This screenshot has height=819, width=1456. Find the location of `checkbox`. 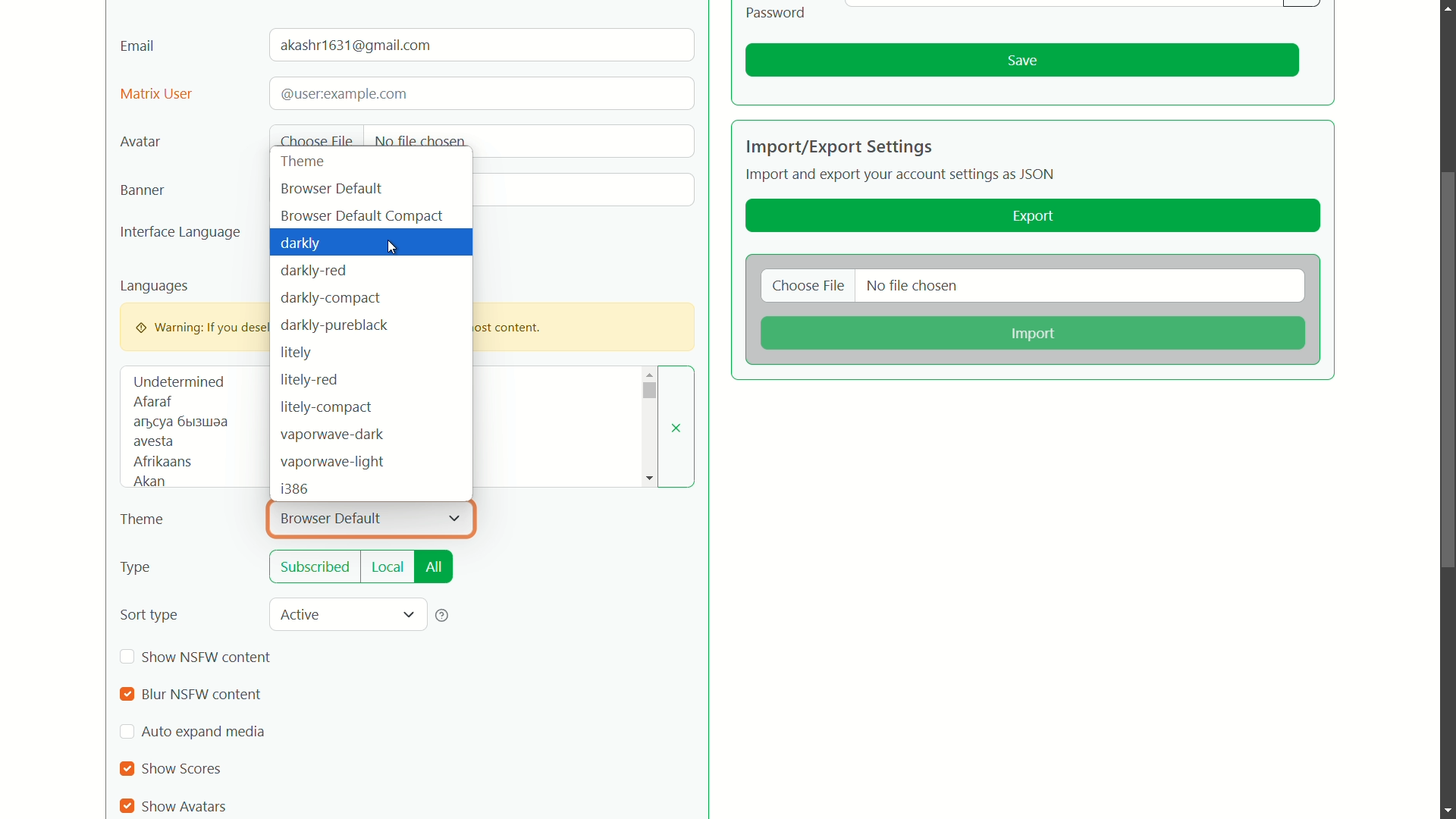

checkbox is located at coordinates (126, 806).